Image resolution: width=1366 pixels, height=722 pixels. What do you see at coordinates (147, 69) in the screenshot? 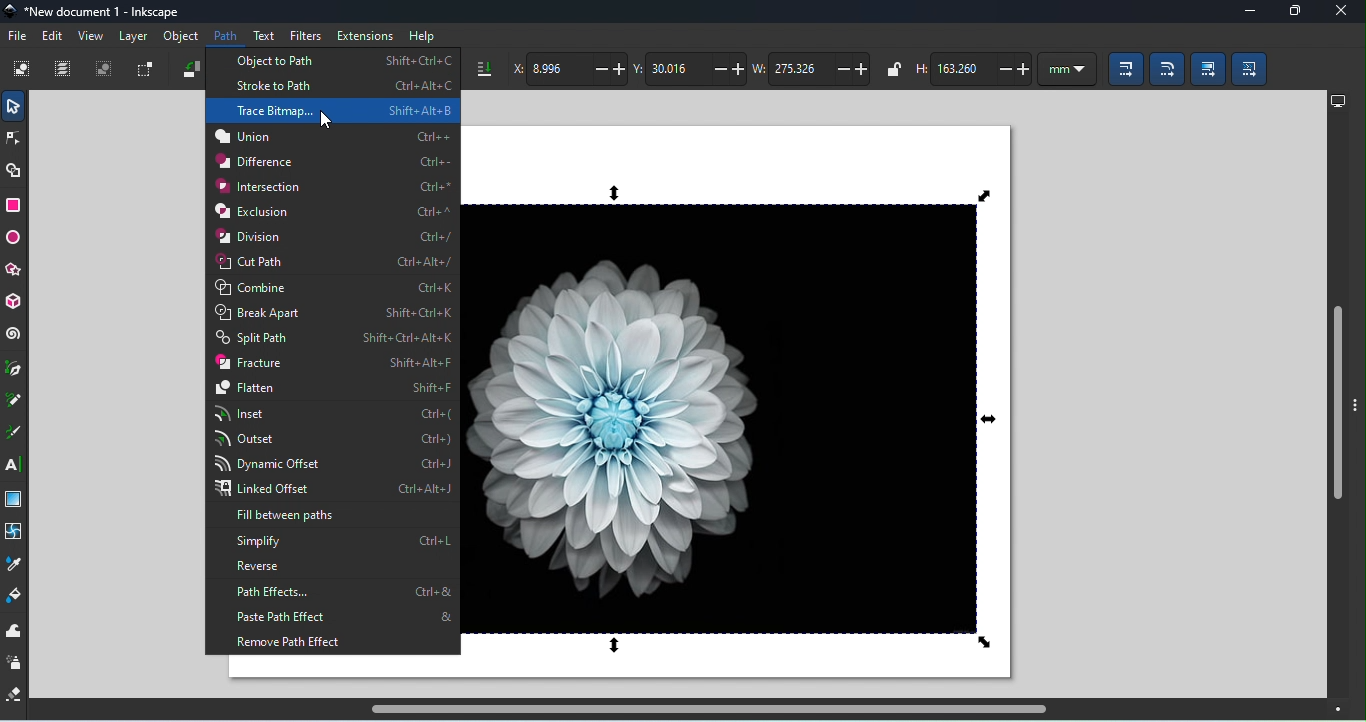
I see `Toggle selection box to select all touched objects` at bounding box center [147, 69].